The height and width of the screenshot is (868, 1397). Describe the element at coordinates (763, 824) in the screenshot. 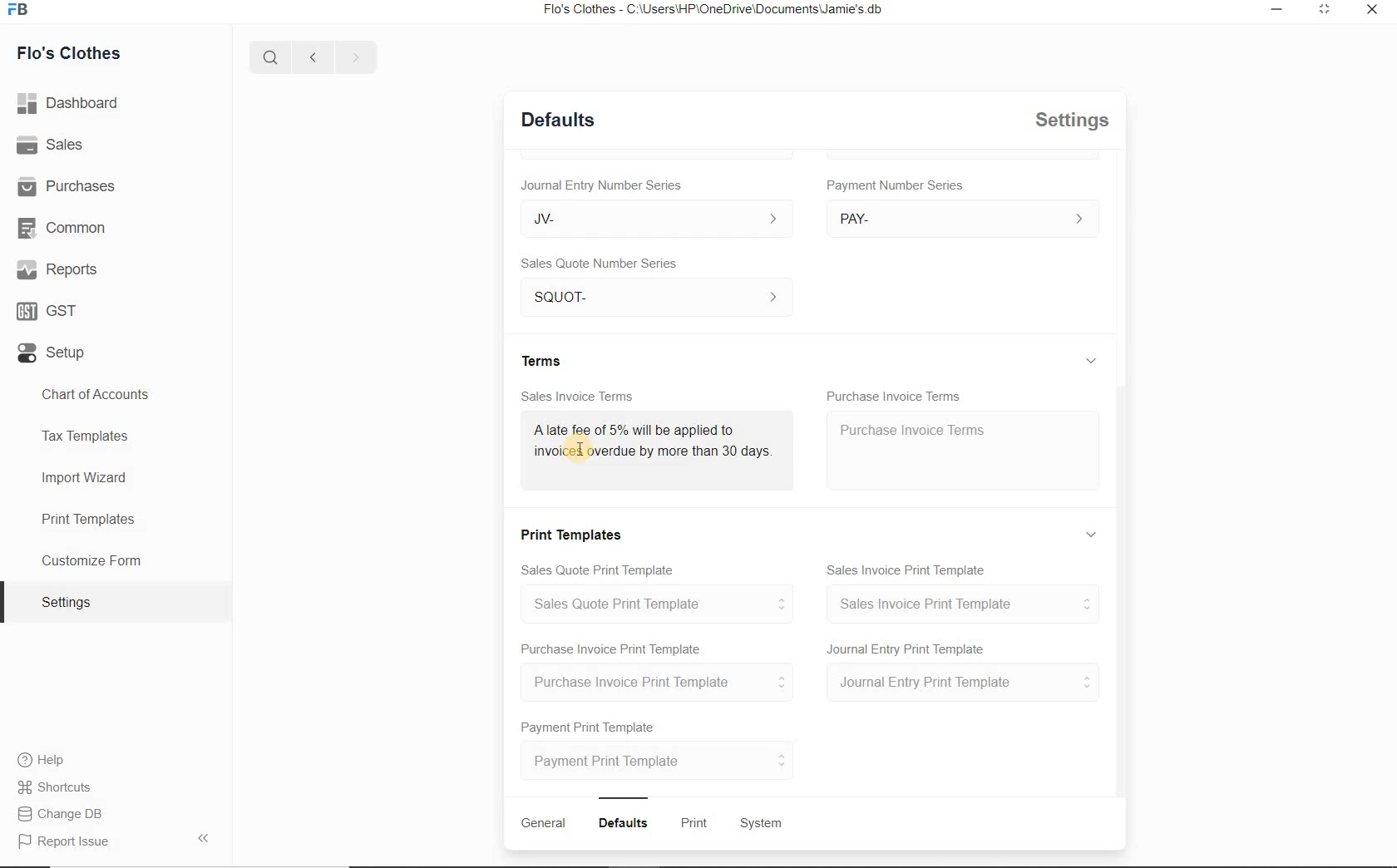

I see `System` at that location.